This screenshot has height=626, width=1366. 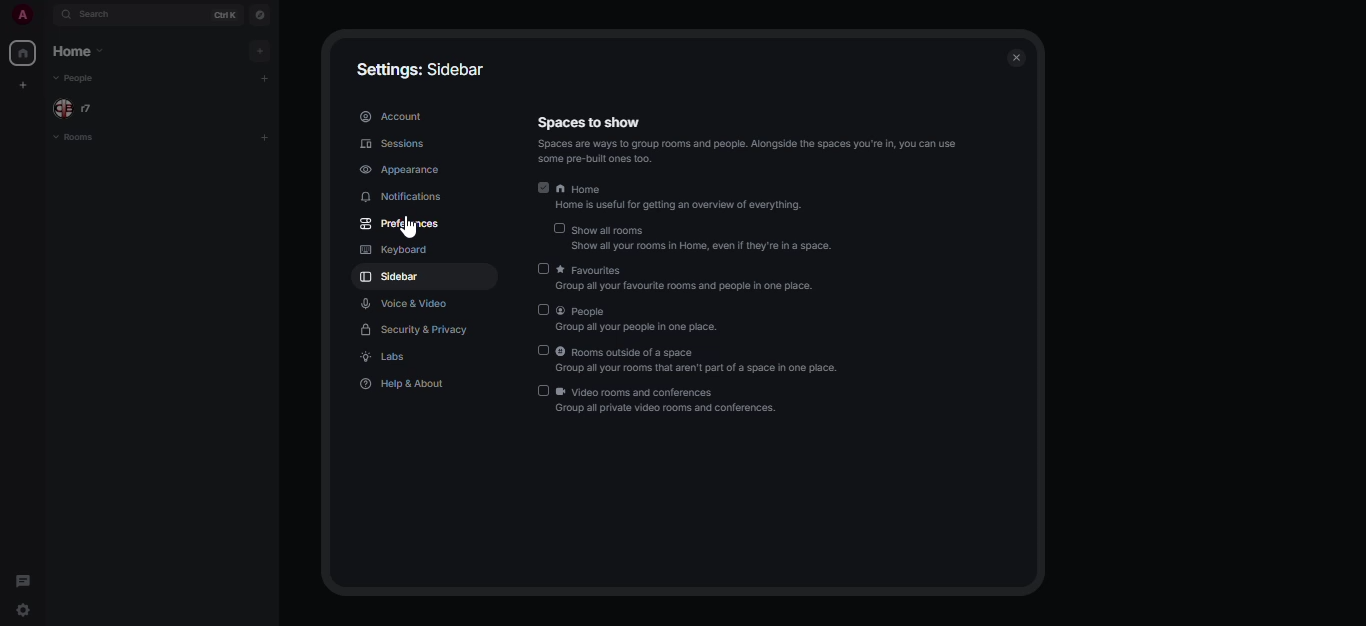 What do you see at coordinates (384, 356) in the screenshot?
I see `labs` at bounding box center [384, 356].